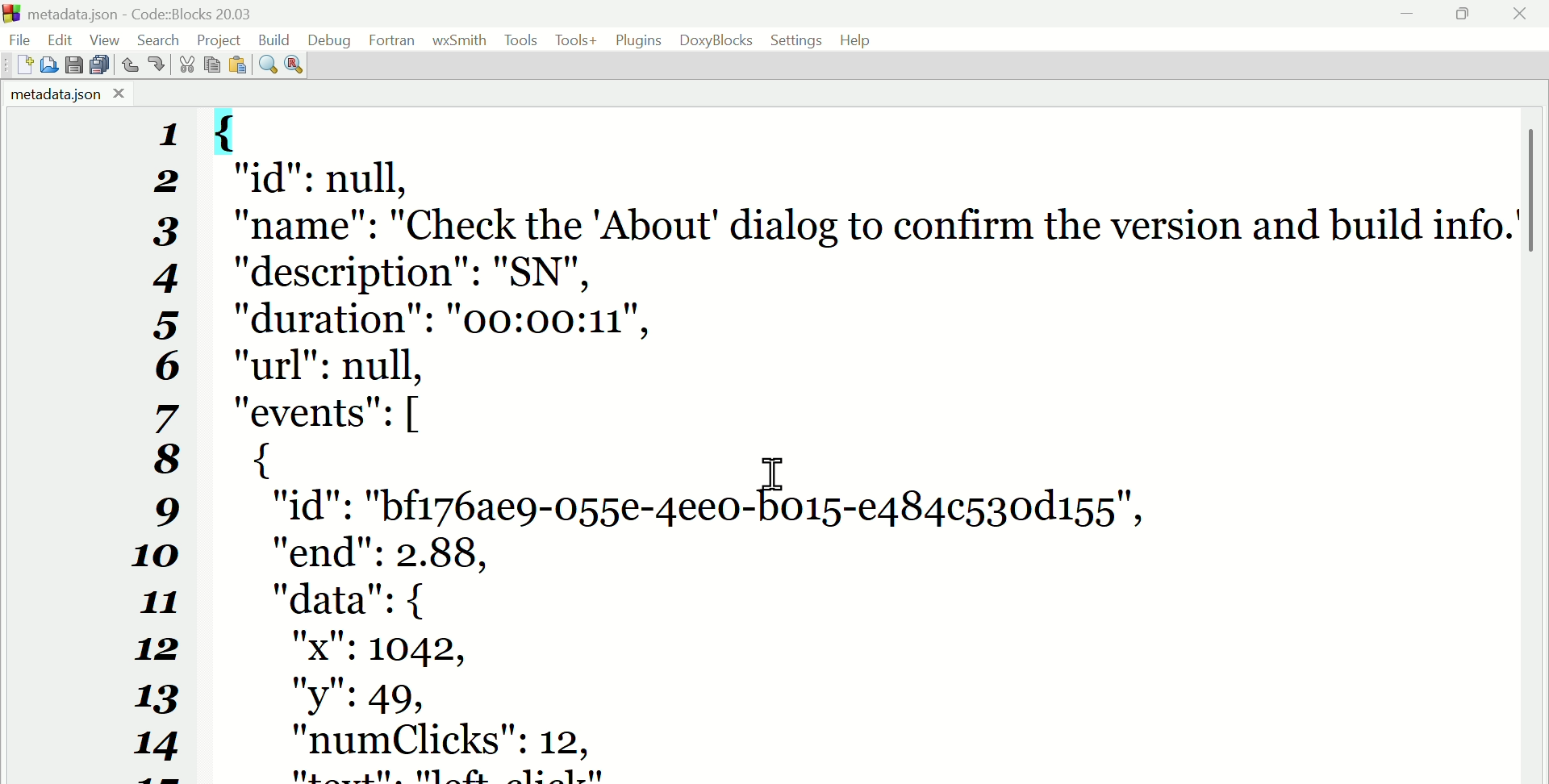 The width and height of the screenshot is (1549, 784). What do you see at coordinates (1409, 15) in the screenshot?
I see `minimise` at bounding box center [1409, 15].